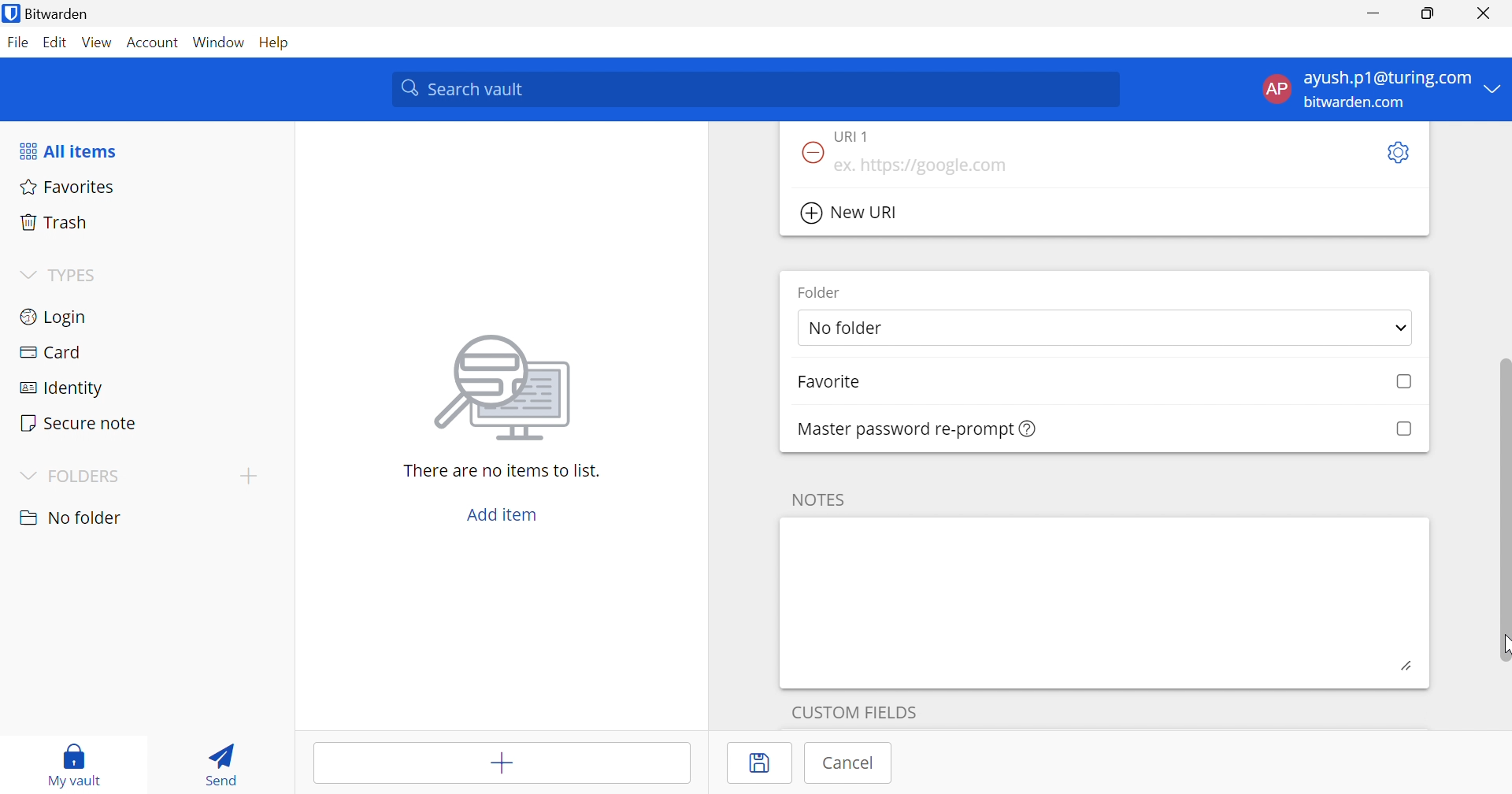 Image resolution: width=1512 pixels, height=794 pixels. I want to click on Restore Down, so click(1429, 13).